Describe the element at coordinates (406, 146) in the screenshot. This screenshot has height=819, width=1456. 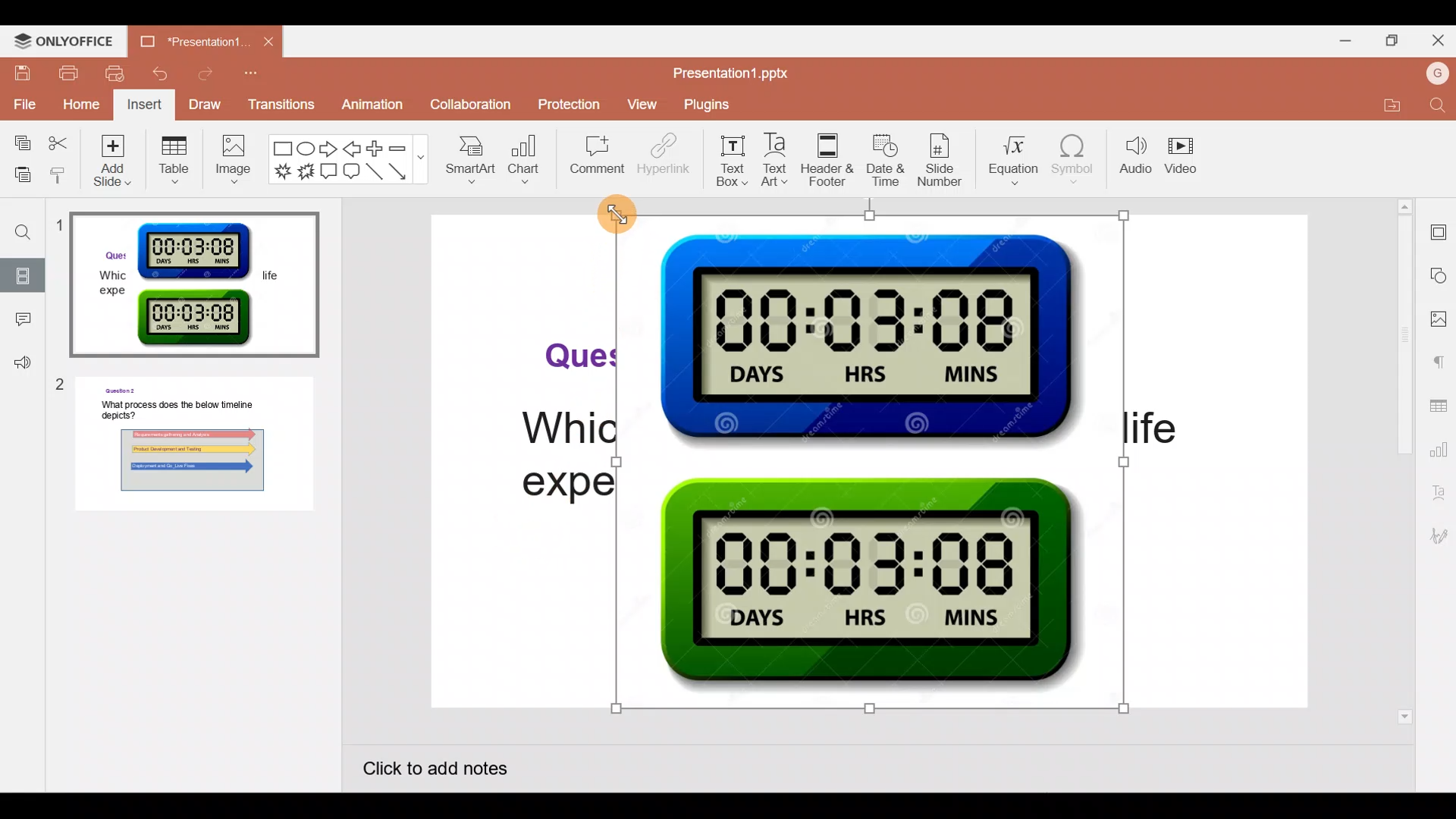
I see `Minus` at that location.